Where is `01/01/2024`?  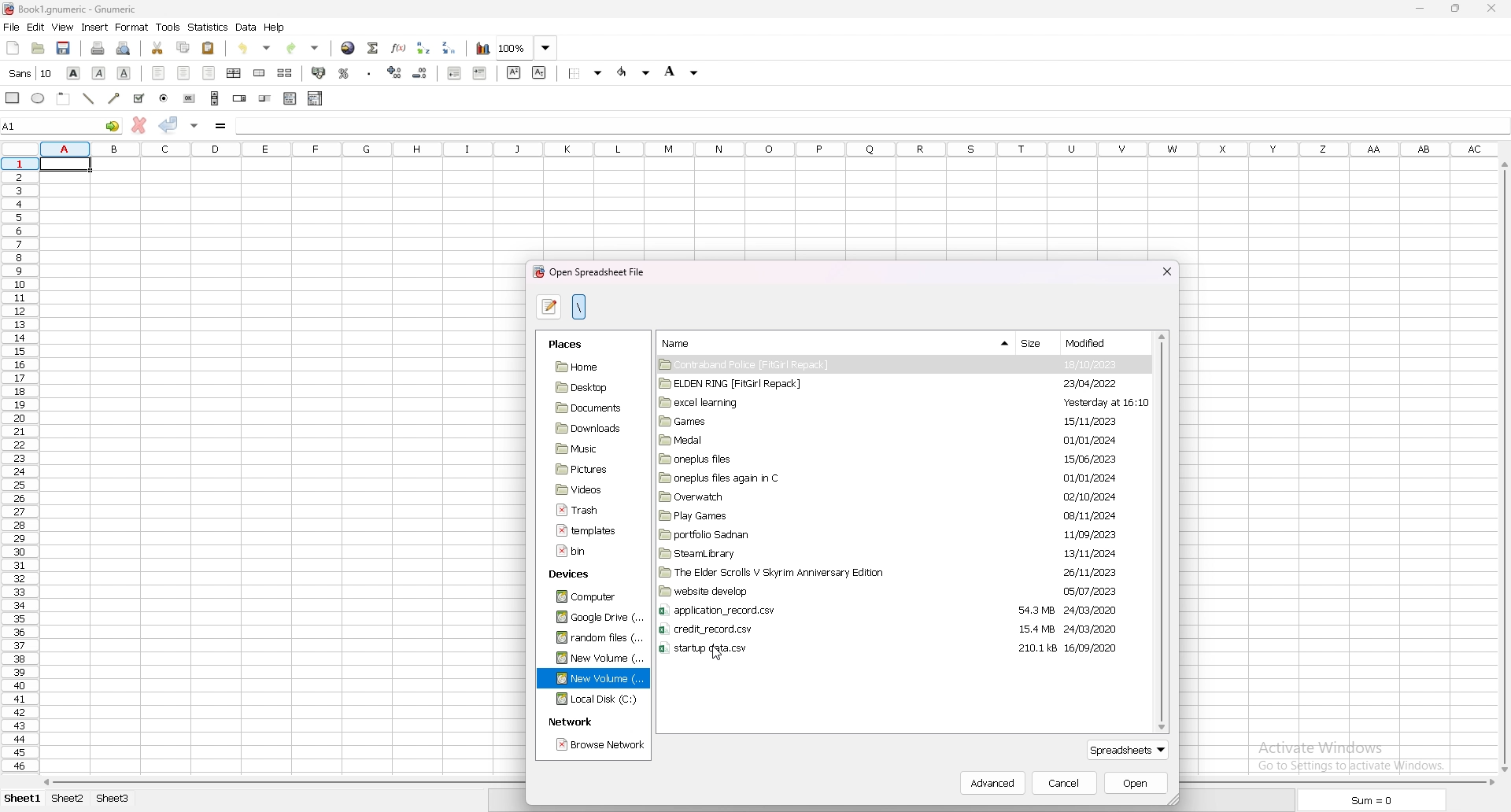 01/01/2024 is located at coordinates (1081, 477).